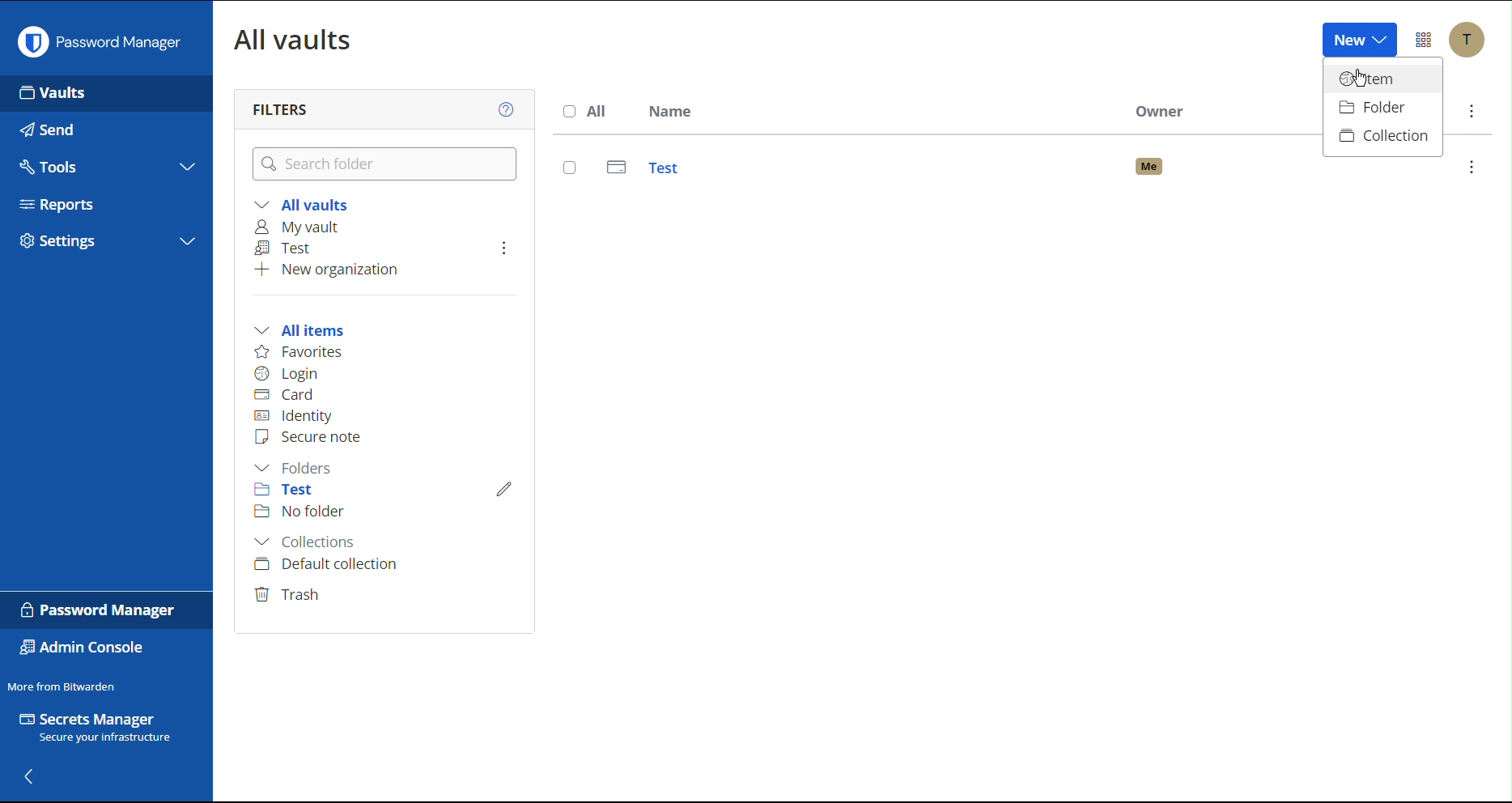 This screenshot has height=803, width=1512. I want to click on More from Bitwarden, so click(64, 683).